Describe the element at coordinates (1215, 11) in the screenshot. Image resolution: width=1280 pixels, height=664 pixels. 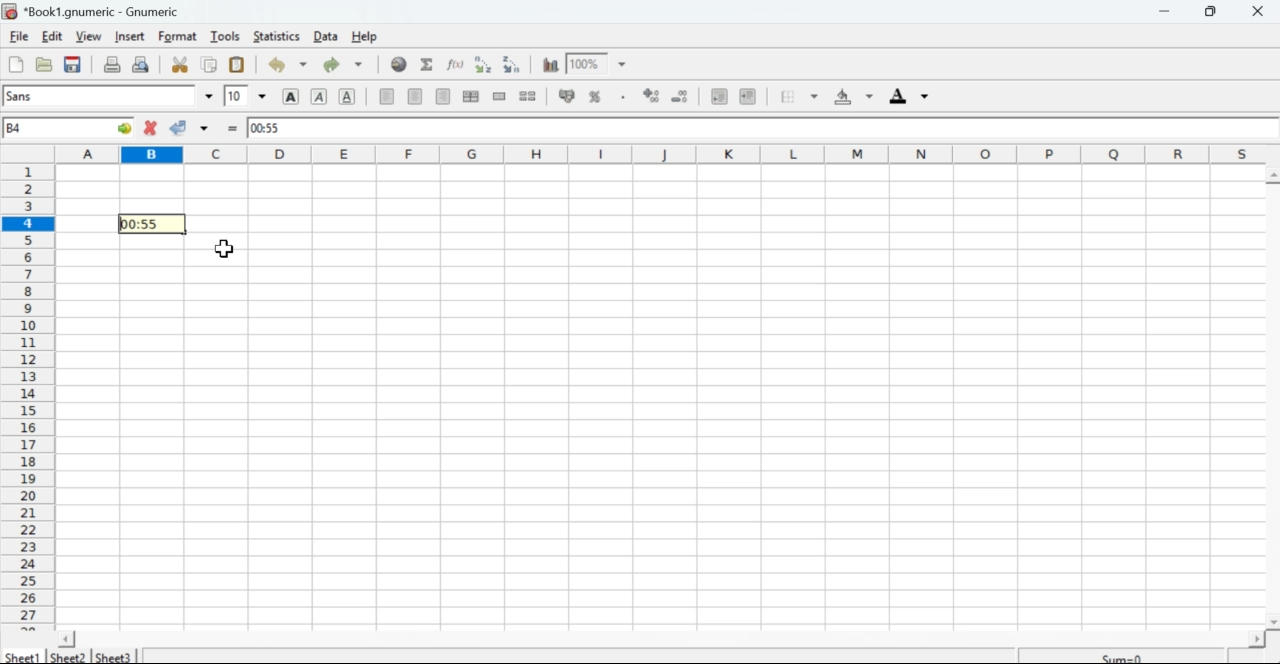
I see `Minimise` at that location.